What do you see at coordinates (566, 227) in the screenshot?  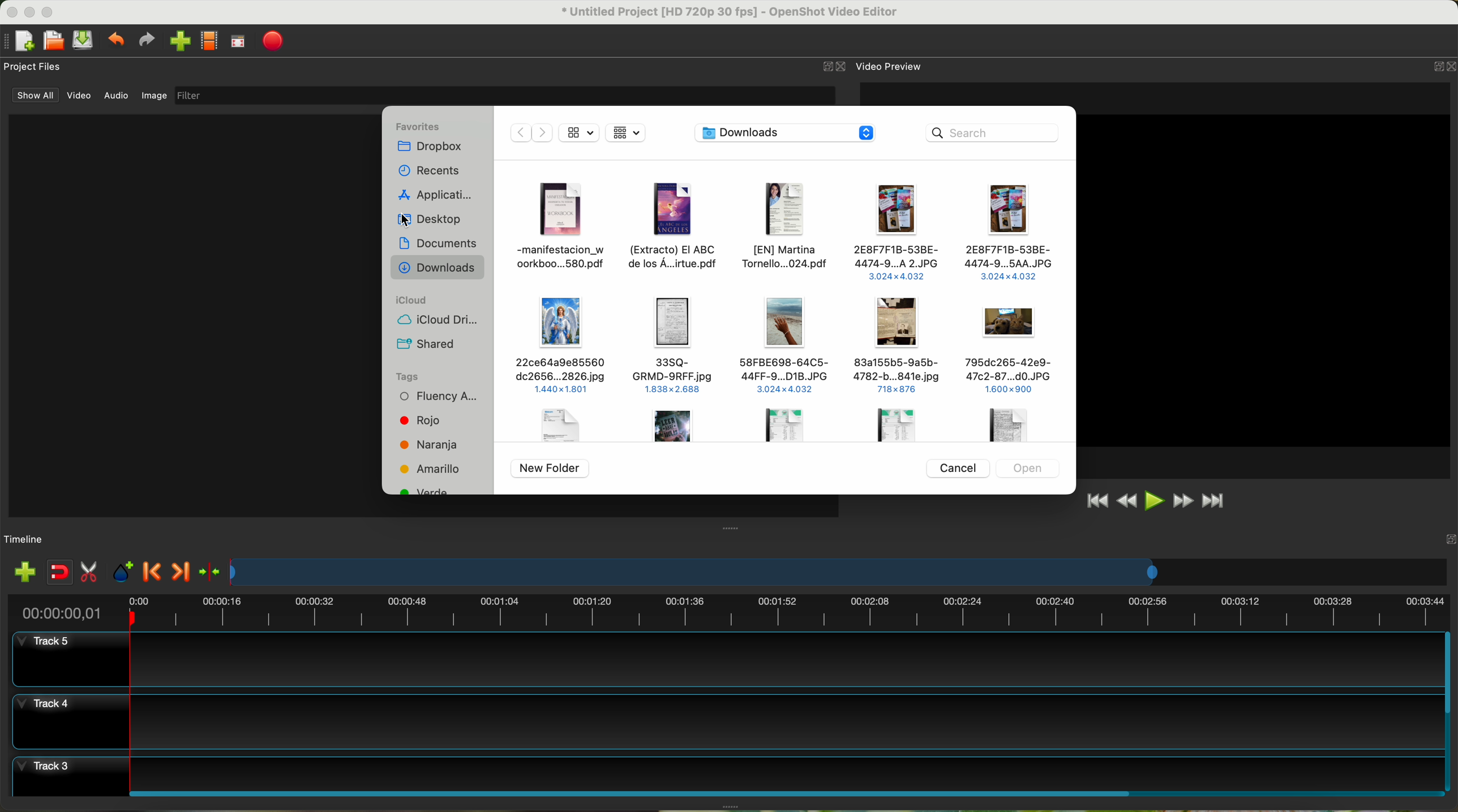 I see `file` at bounding box center [566, 227].